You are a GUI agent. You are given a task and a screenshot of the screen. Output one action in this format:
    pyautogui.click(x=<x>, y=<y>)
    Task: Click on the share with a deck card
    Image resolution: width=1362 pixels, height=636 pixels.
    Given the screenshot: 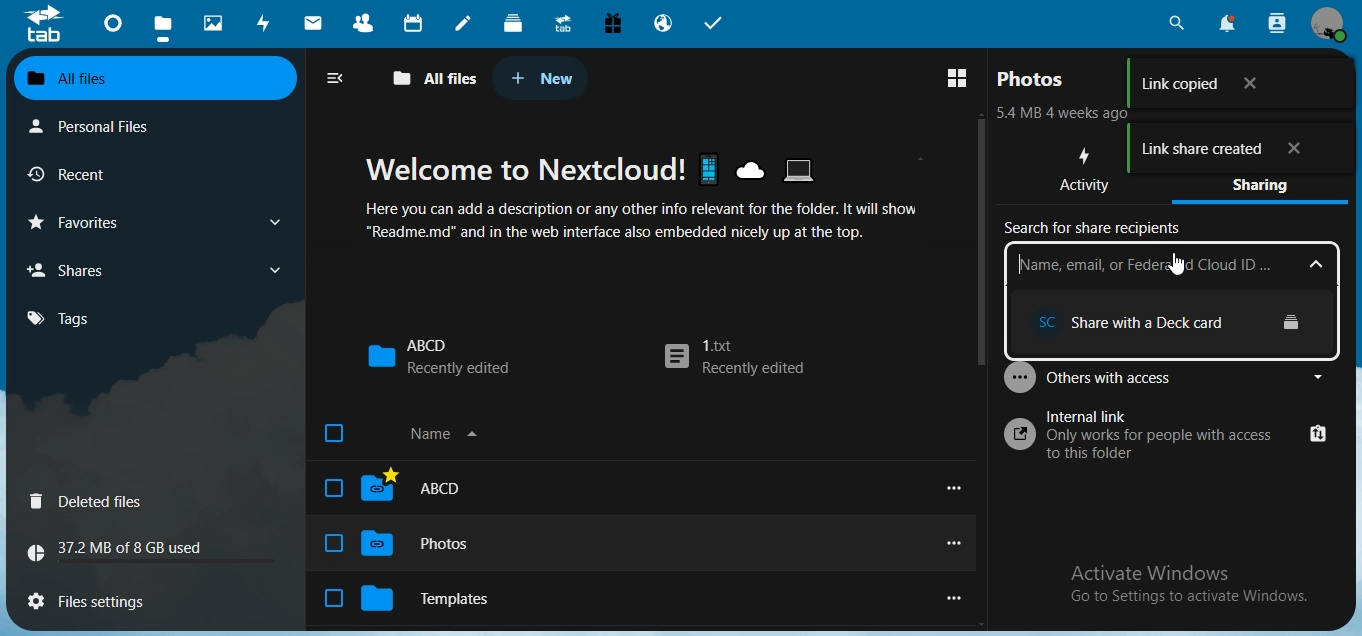 What is the action you would take?
    pyautogui.click(x=1177, y=323)
    